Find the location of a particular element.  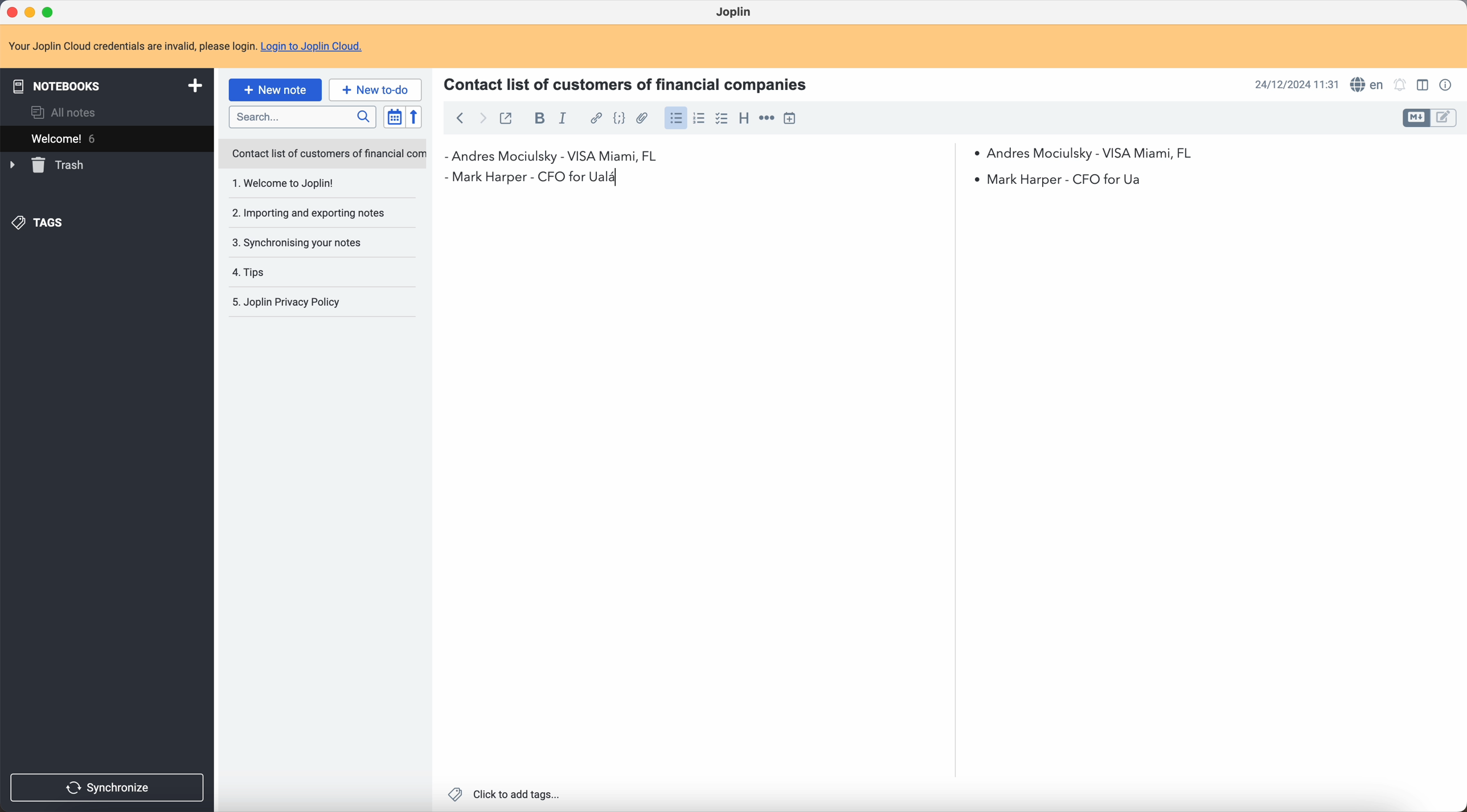

Andres Mociulsky - VISA Miami, FL is located at coordinates (1091, 151).